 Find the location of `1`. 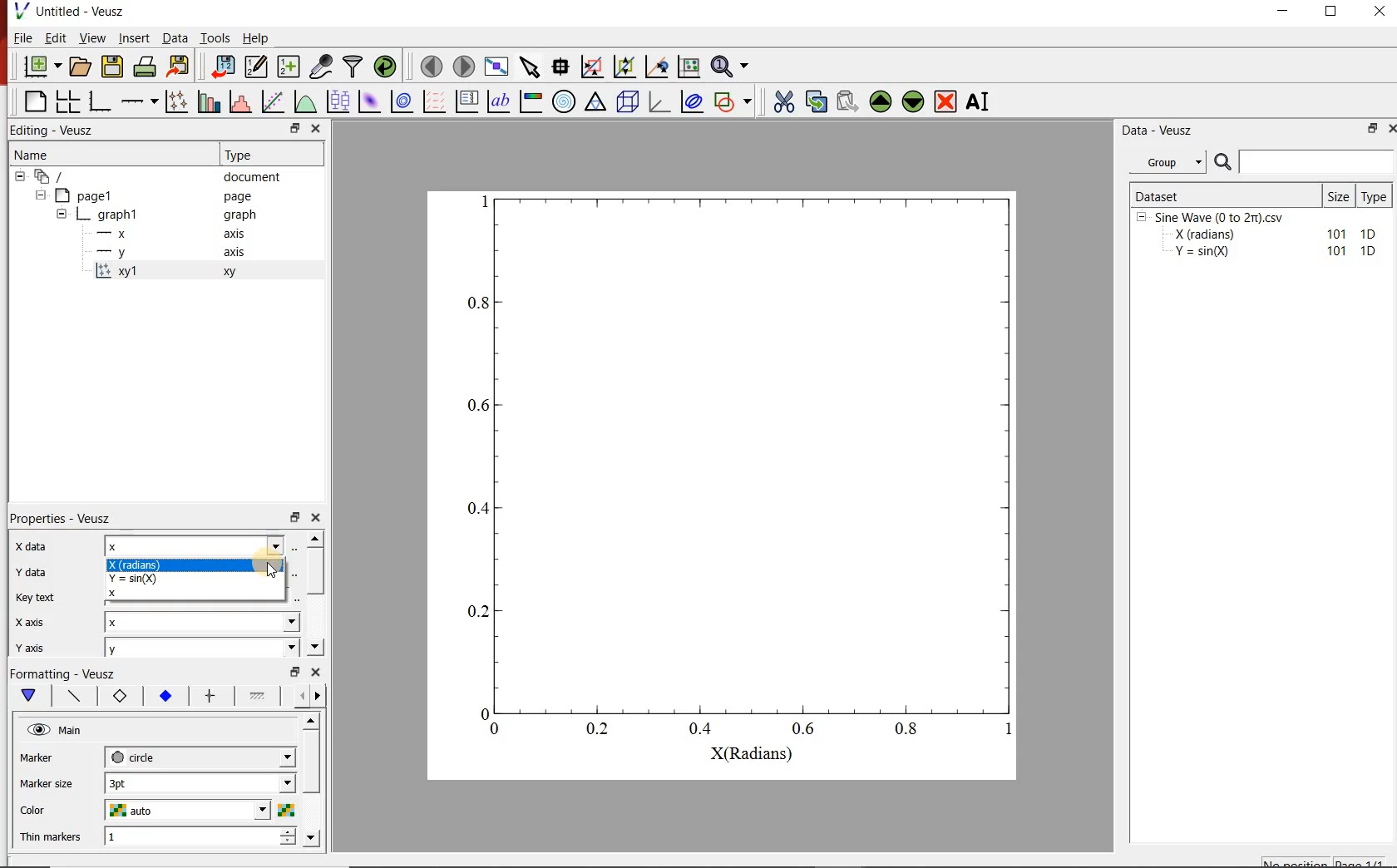

1 is located at coordinates (200, 837).